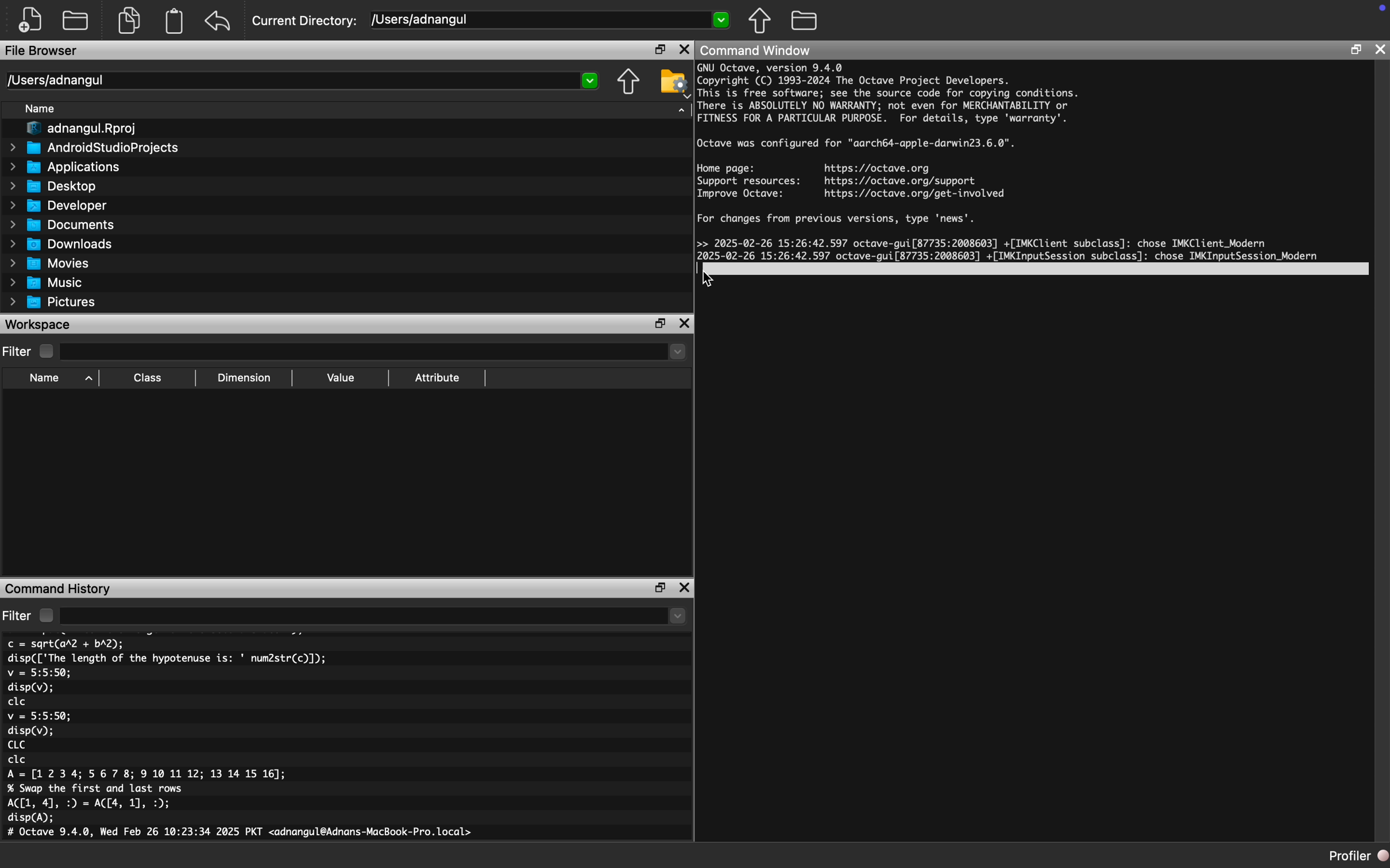  I want to click on clc, so click(17, 702).